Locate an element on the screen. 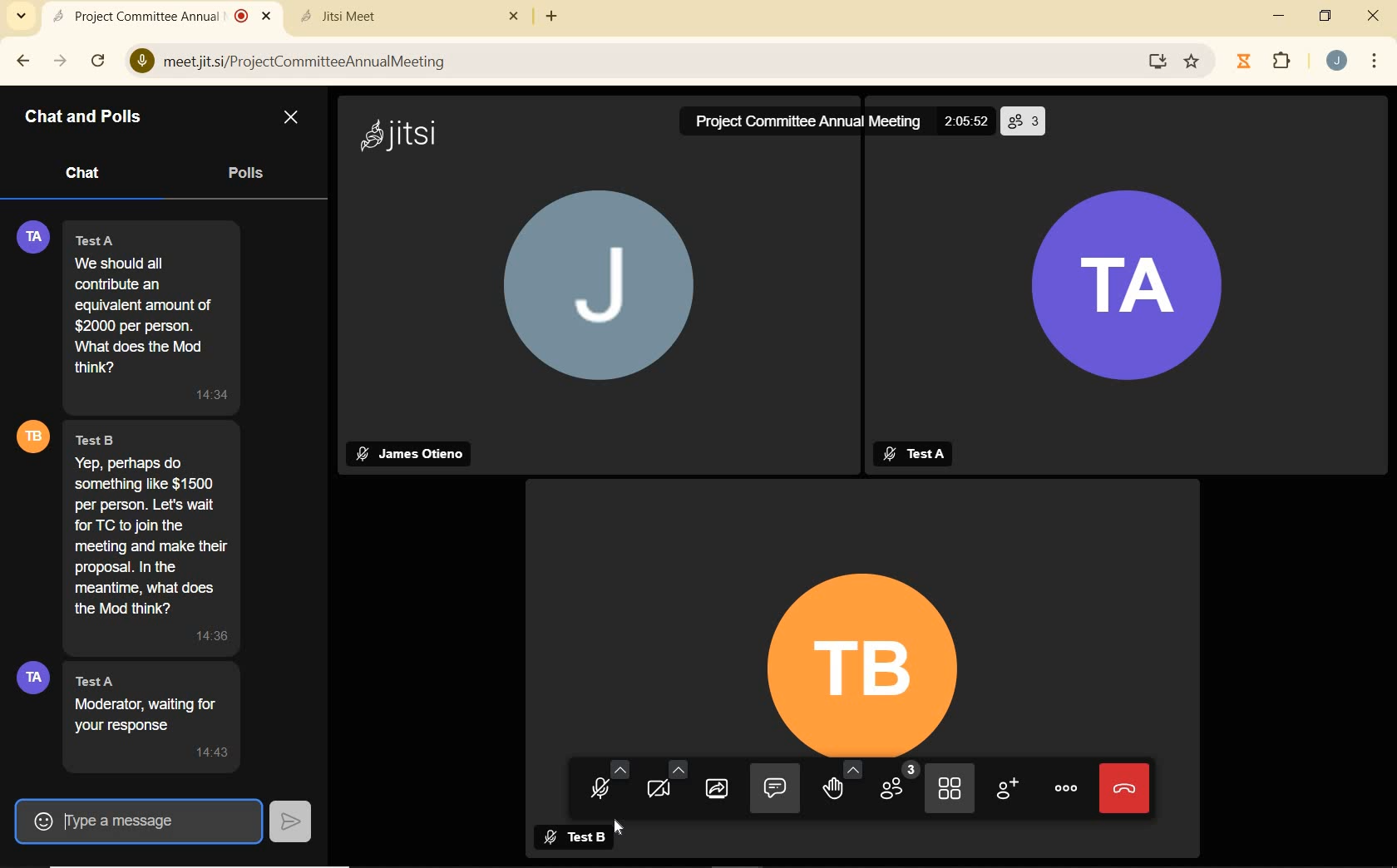 The height and width of the screenshot is (868, 1397). toggle tile view  is located at coordinates (951, 787).